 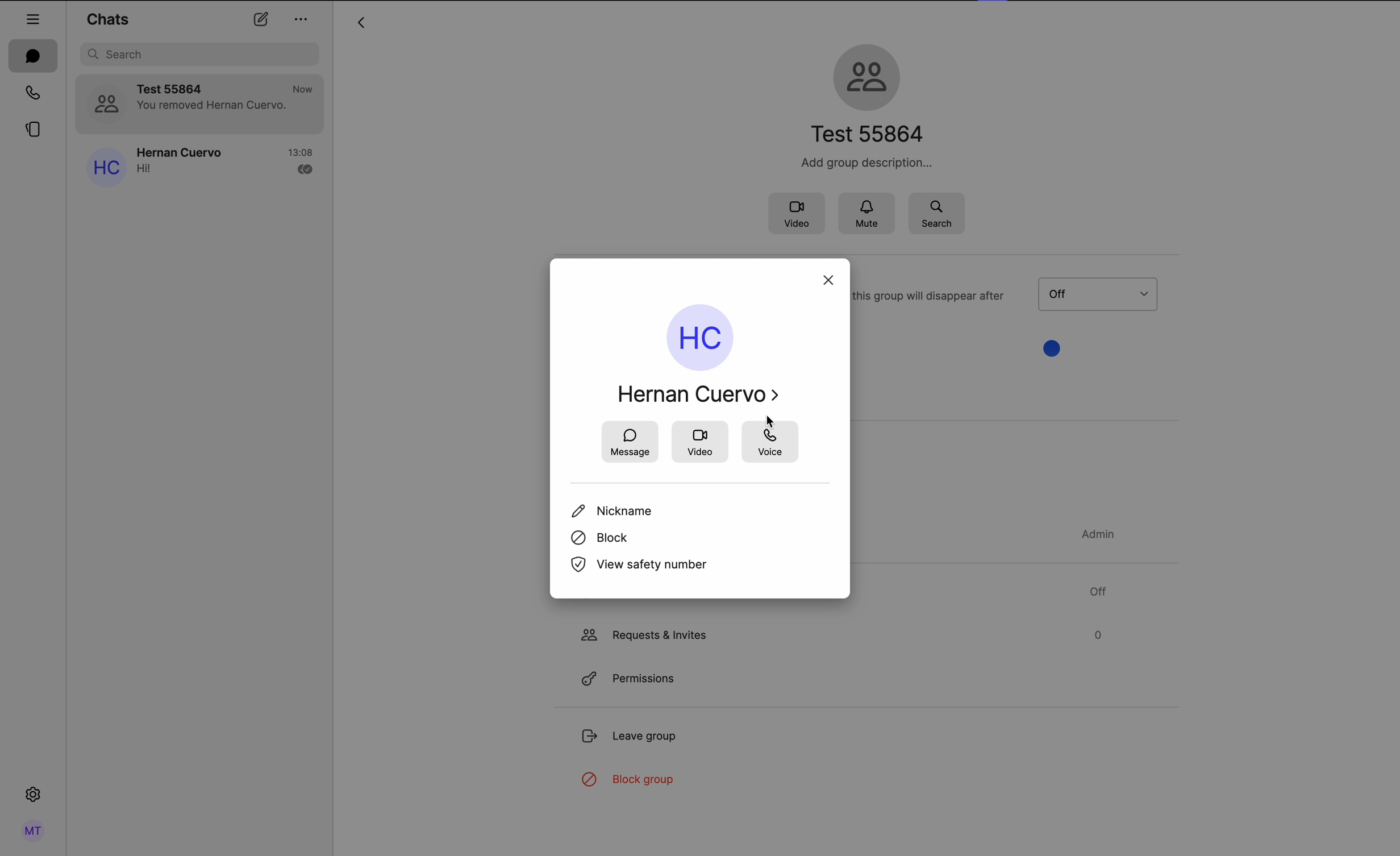 I want to click on block group, so click(x=632, y=782).